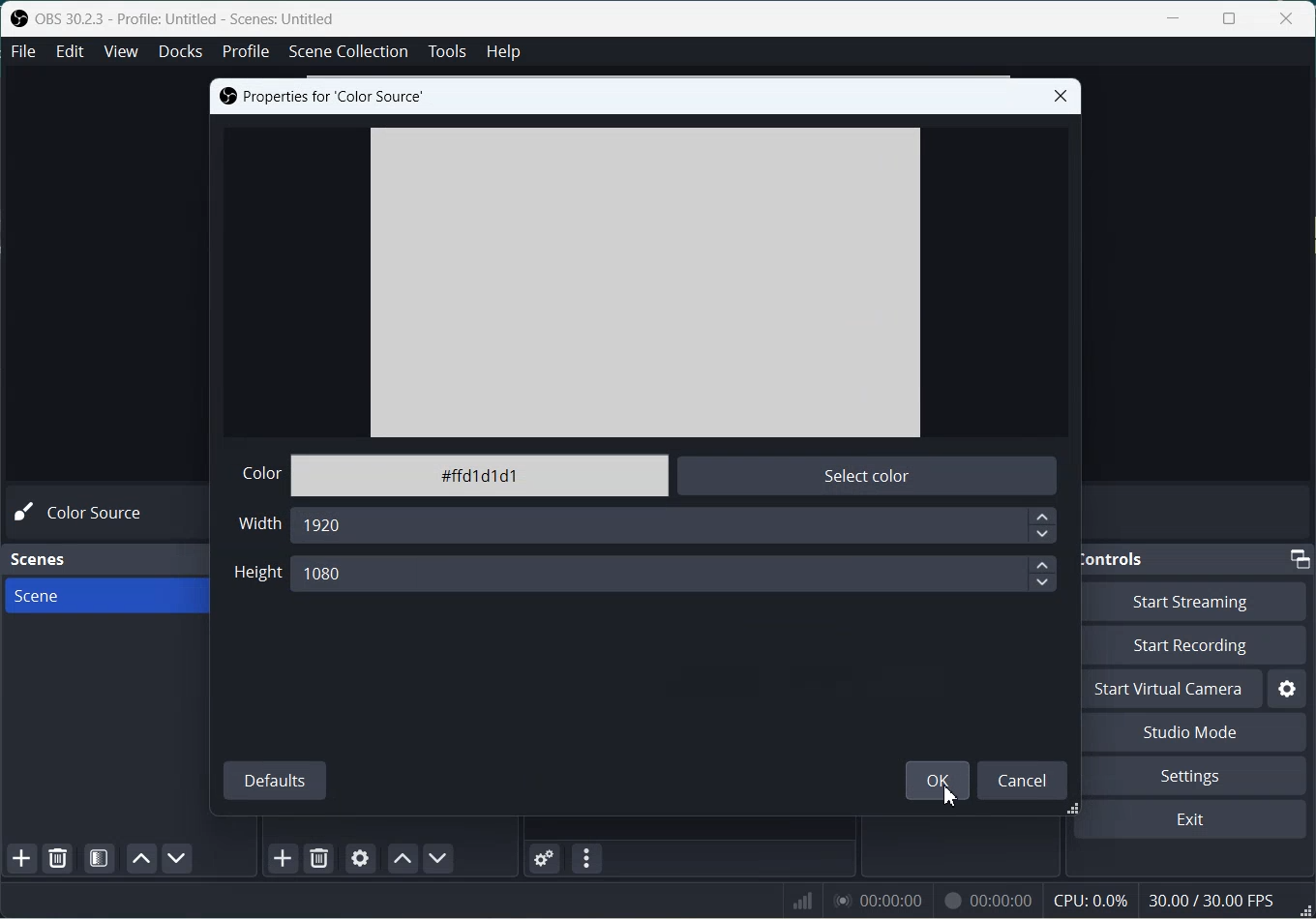 Image resolution: width=1316 pixels, height=919 pixels. Describe the element at coordinates (245, 51) in the screenshot. I see `Profile` at that location.